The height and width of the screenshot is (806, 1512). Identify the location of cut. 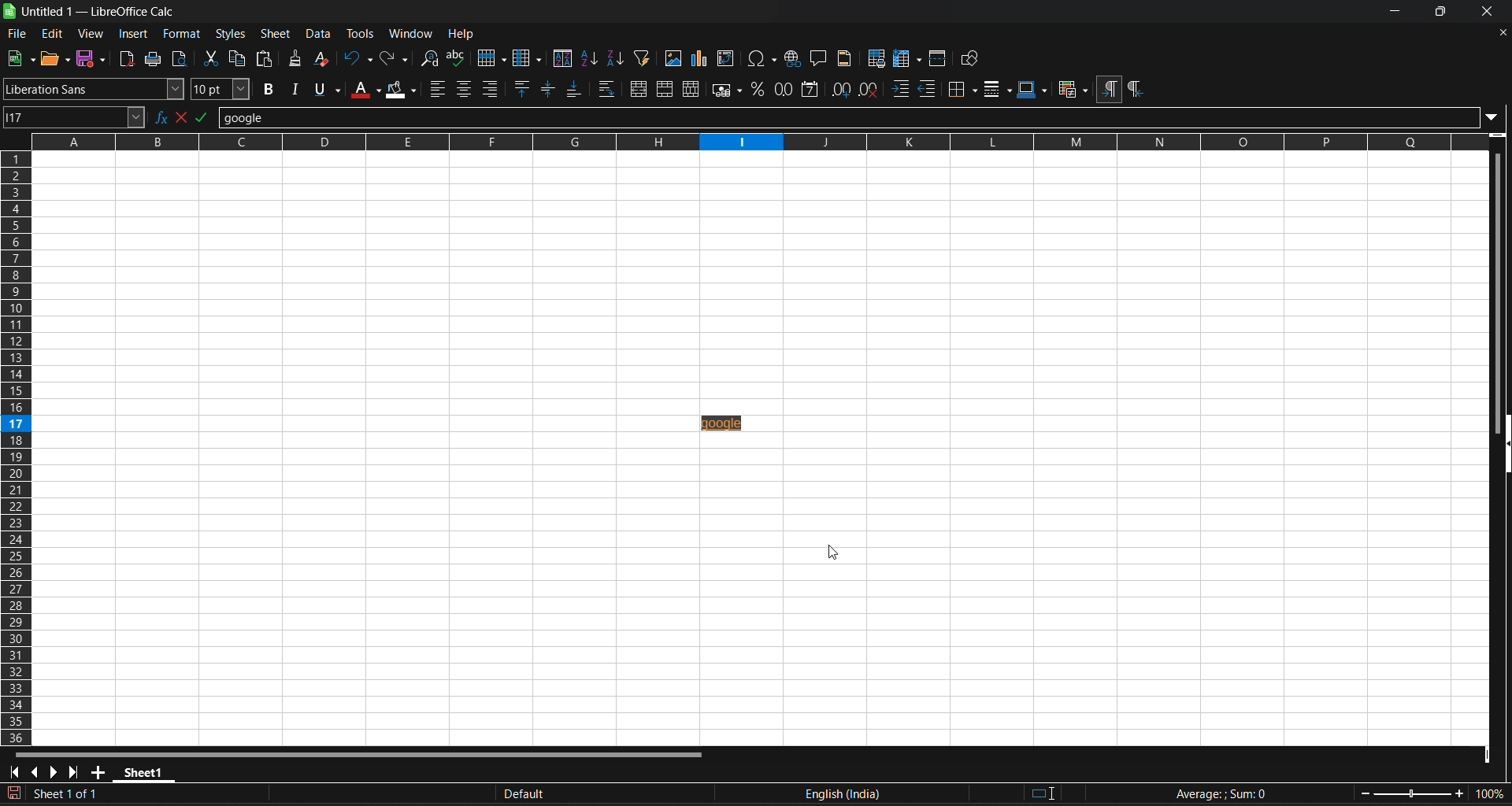
(210, 57).